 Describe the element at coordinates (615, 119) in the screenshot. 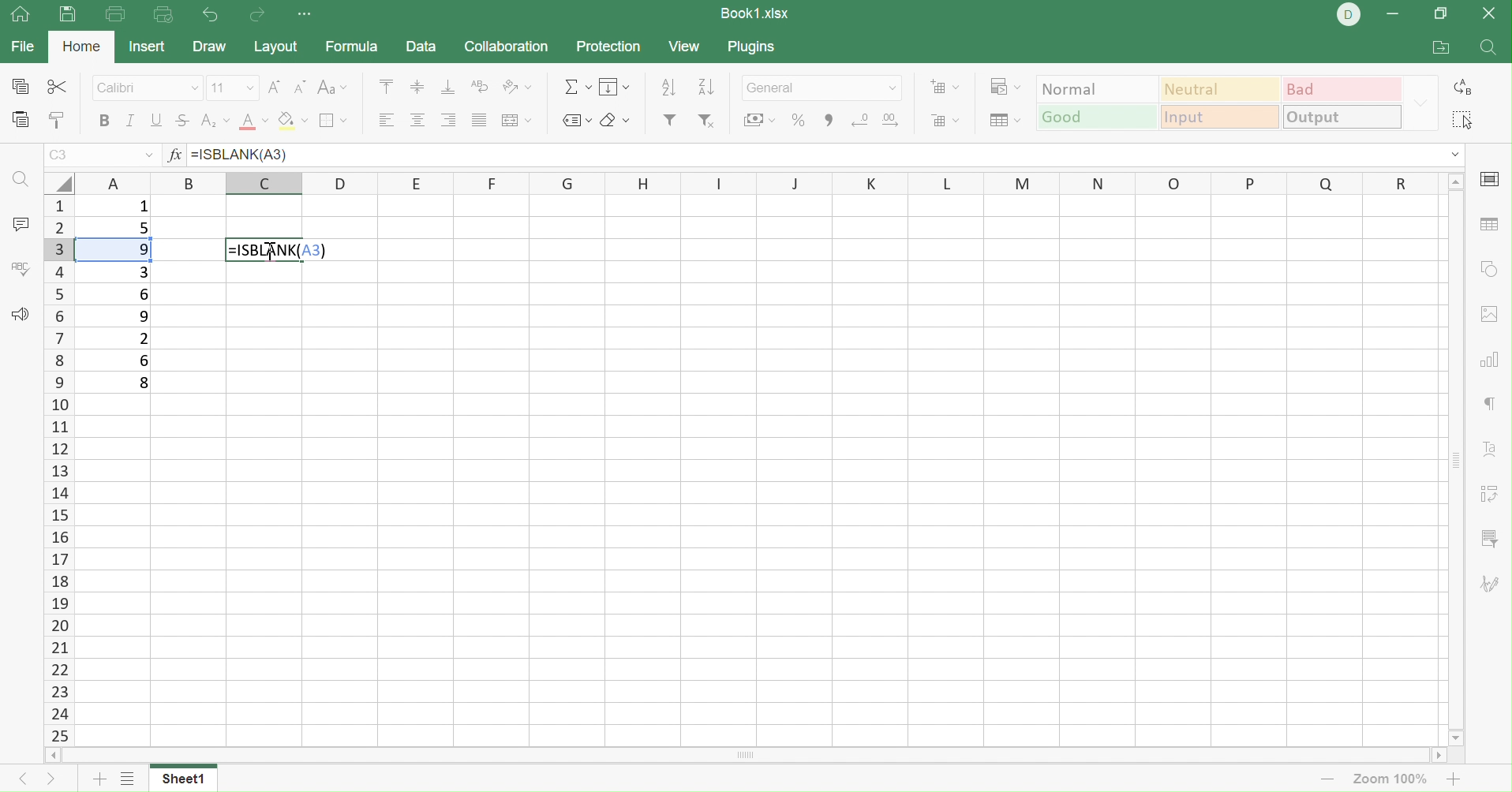

I see `Clear` at that location.